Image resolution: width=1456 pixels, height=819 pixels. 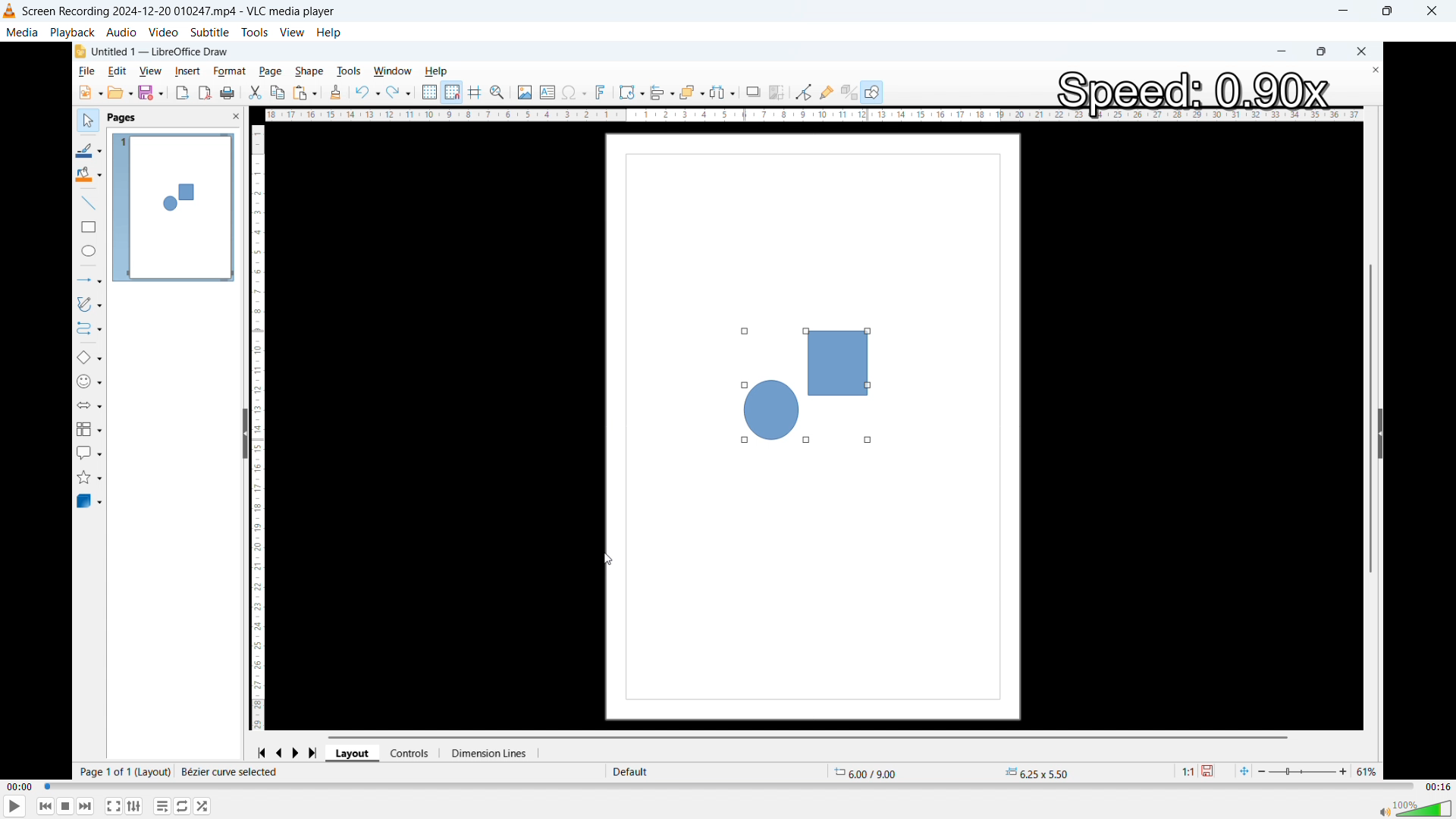 What do you see at coordinates (292, 31) in the screenshot?
I see `View ` at bounding box center [292, 31].